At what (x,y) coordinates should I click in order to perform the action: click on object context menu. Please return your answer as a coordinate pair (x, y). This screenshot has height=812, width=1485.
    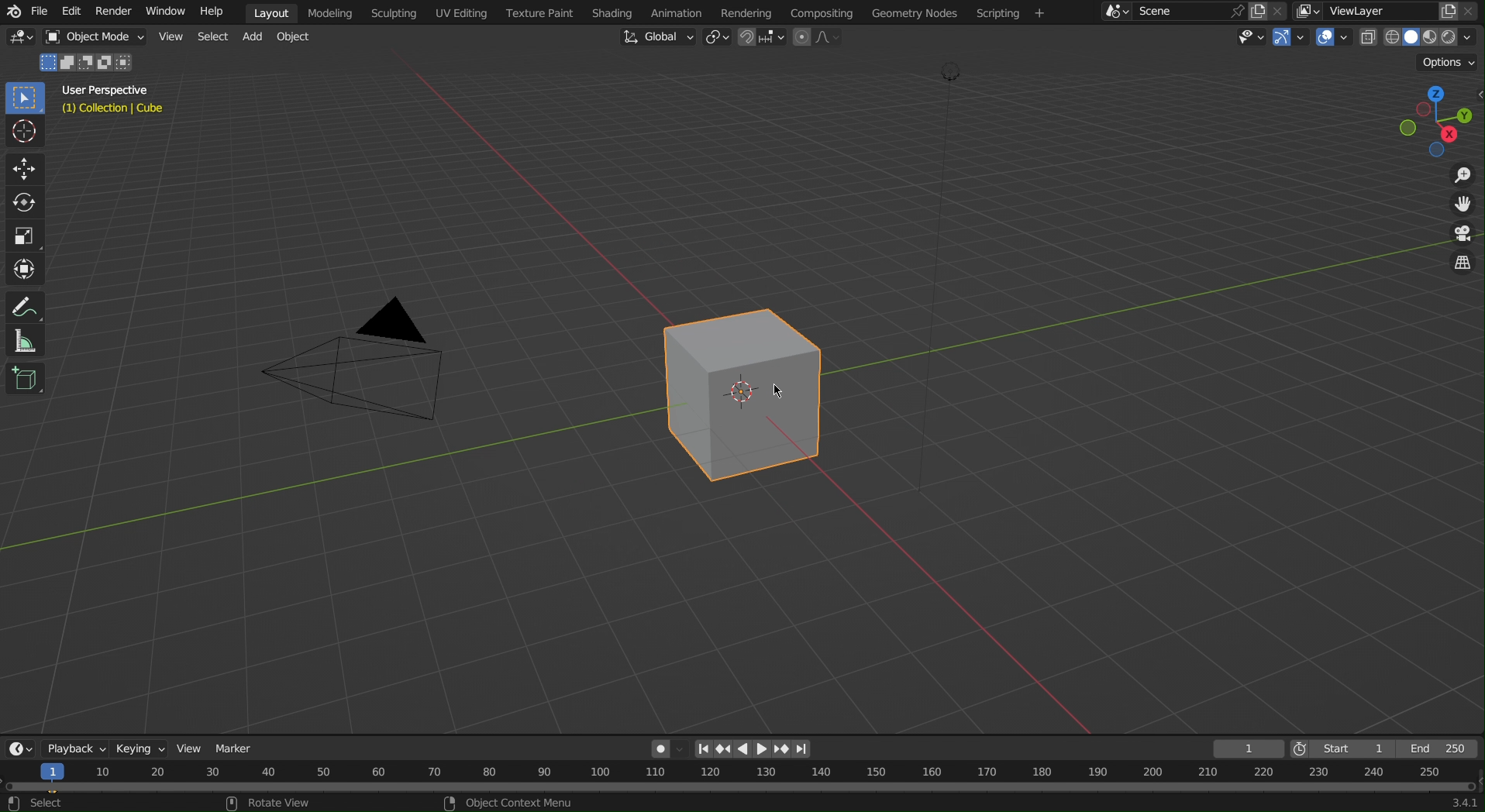
    Looking at the image, I should click on (513, 802).